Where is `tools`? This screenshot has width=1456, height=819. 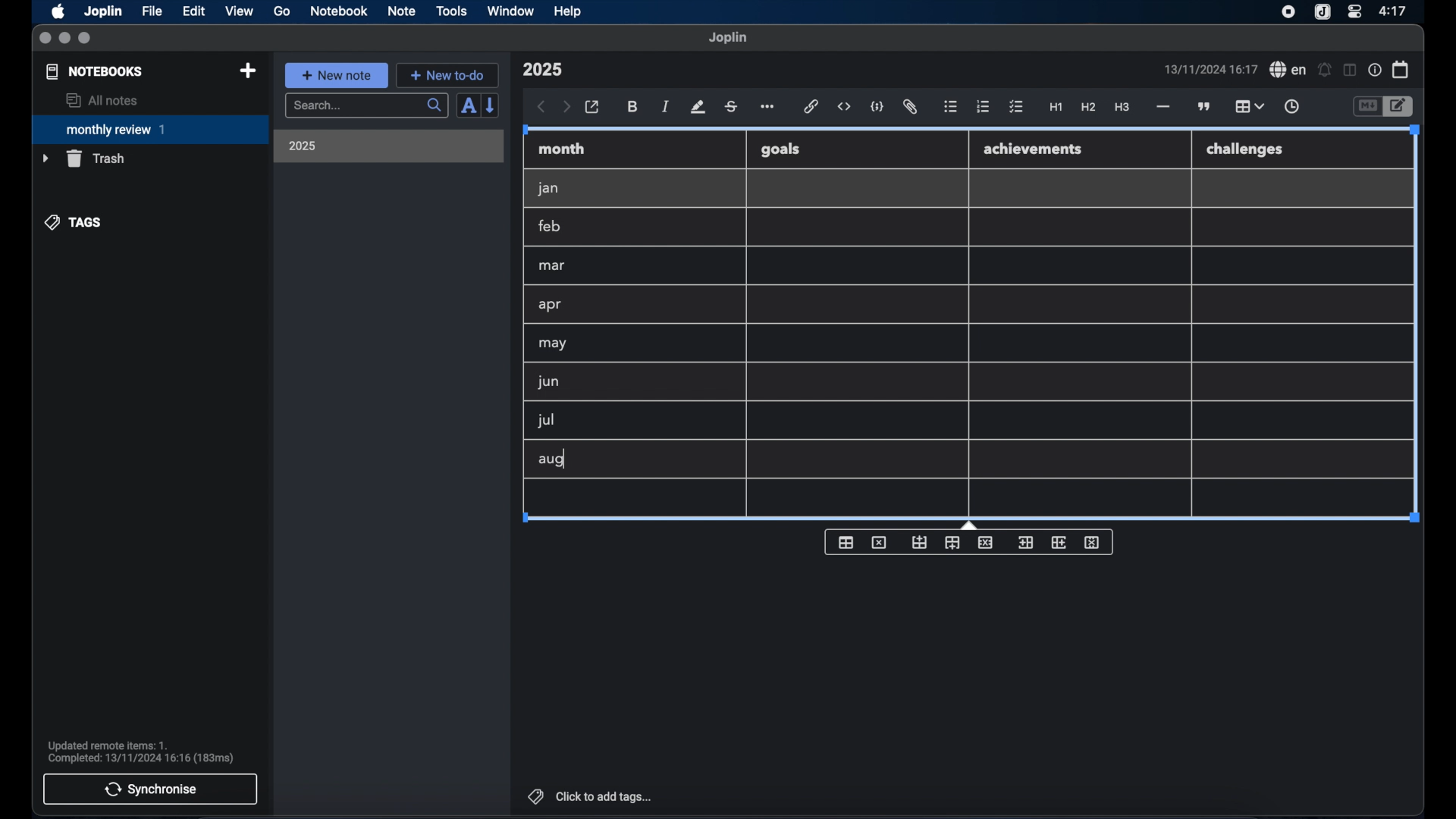
tools is located at coordinates (451, 11).